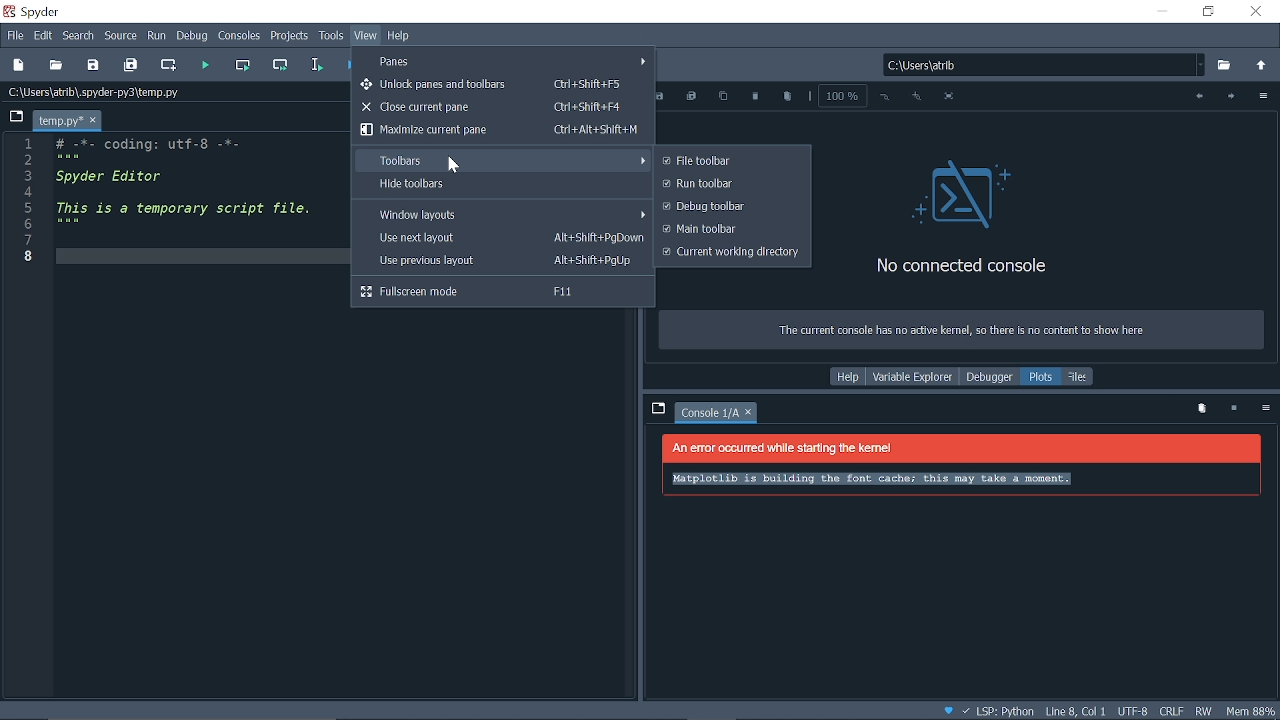 This screenshot has width=1280, height=720. What do you see at coordinates (14, 115) in the screenshot?
I see `Browse Tabs` at bounding box center [14, 115].